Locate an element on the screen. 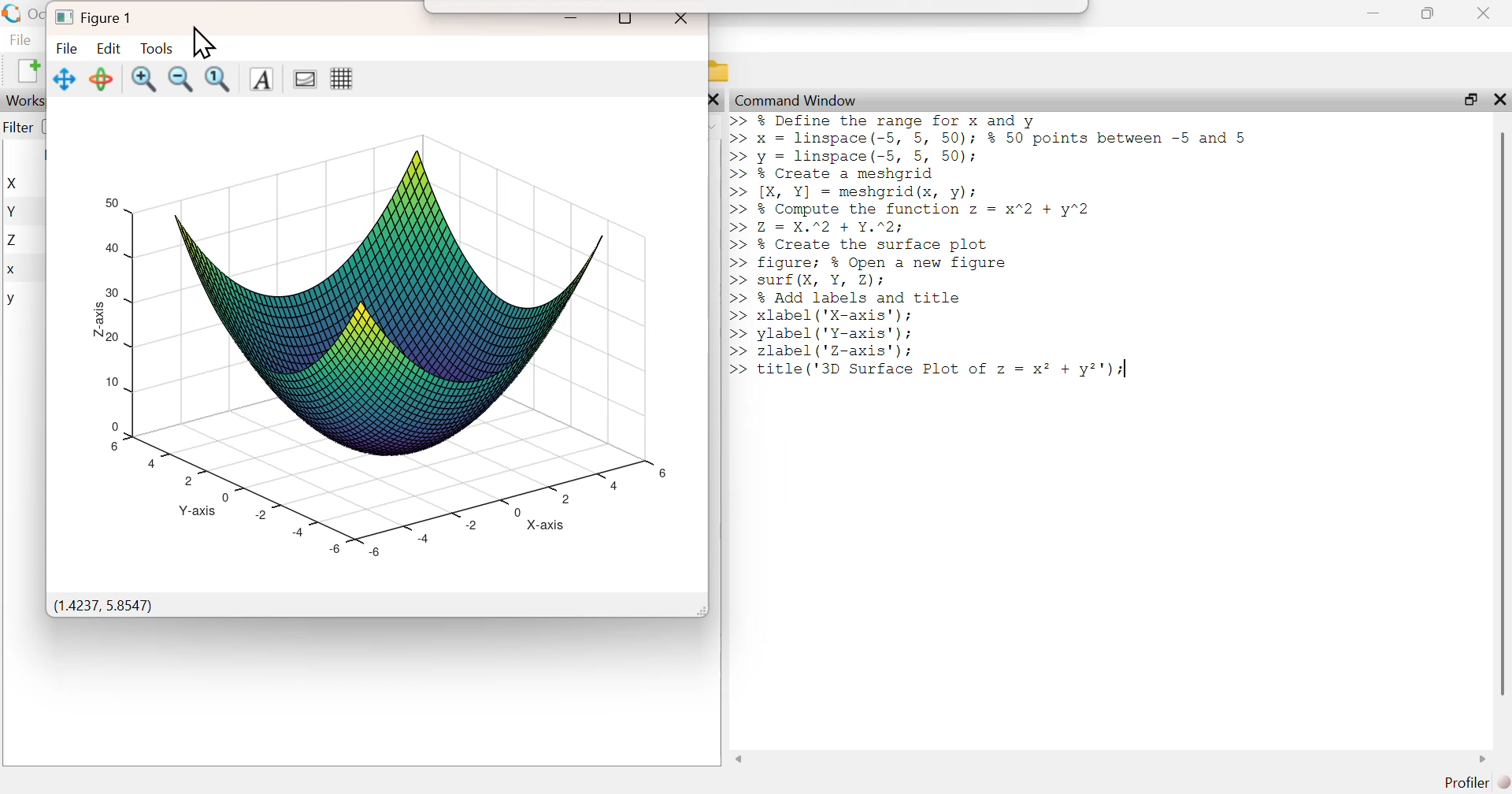 This screenshot has height=794, width=1512. x is located at coordinates (13, 271).